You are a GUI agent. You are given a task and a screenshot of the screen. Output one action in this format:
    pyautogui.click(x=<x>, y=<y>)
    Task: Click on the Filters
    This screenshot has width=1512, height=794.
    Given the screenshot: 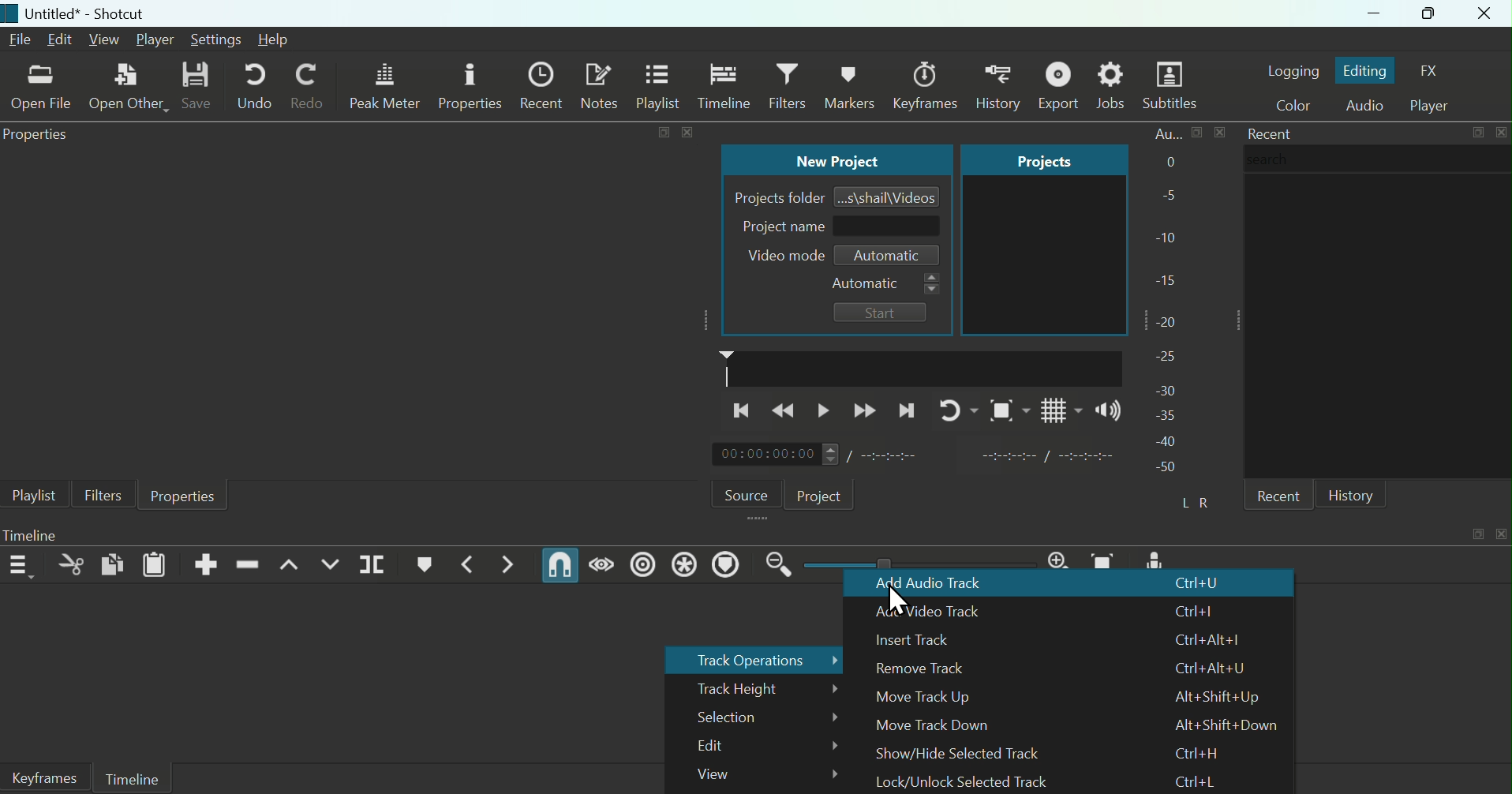 What is the action you would take?
    pyautogui.click(x=789, y=87)
    